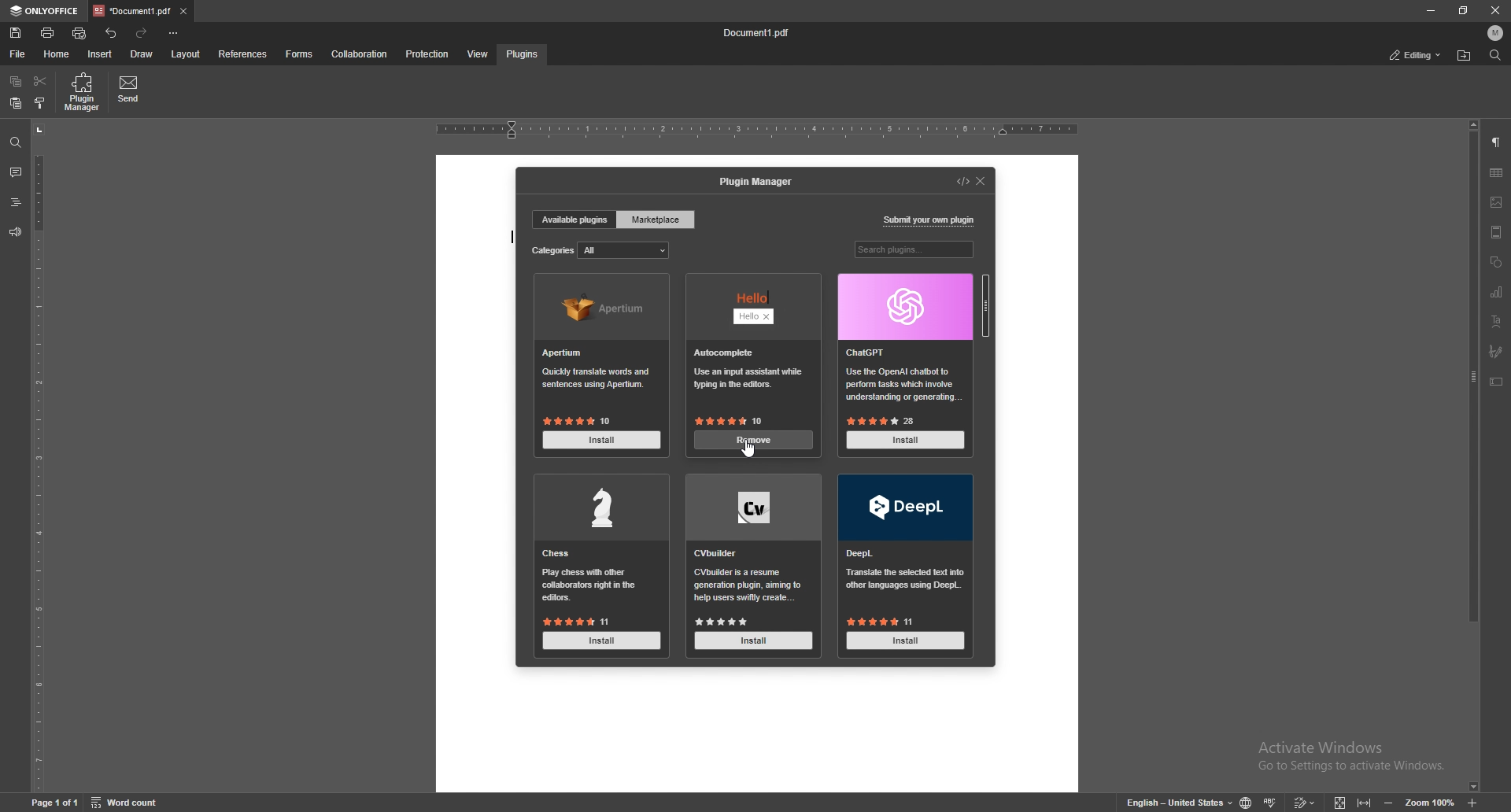 This screenshot has height=812, width=1511. Describe the element at coordinates (601, 643) in the screenshot. I see `Install` at that location.